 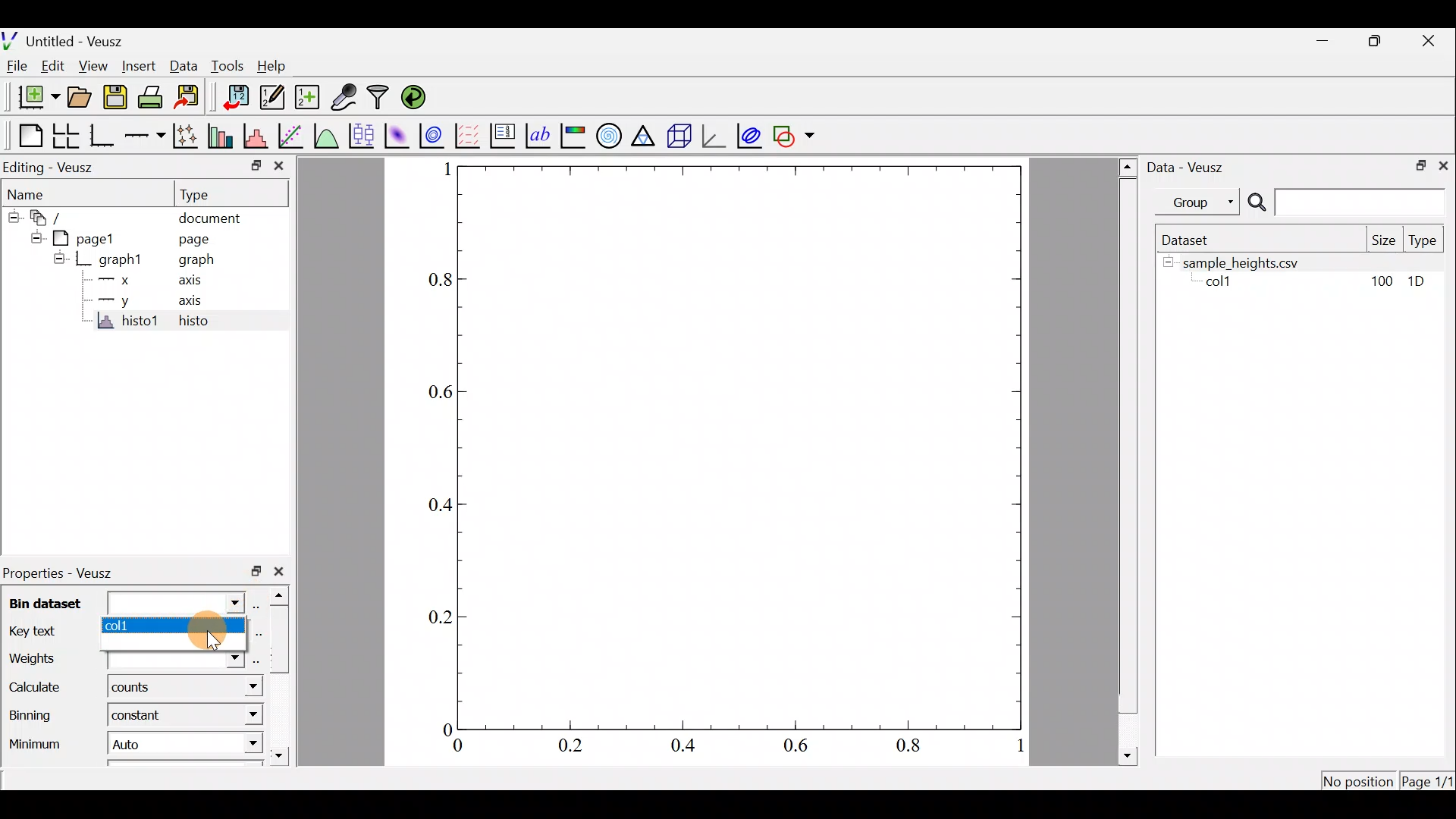 I want to click on Type, so click(x=1426, y=240).